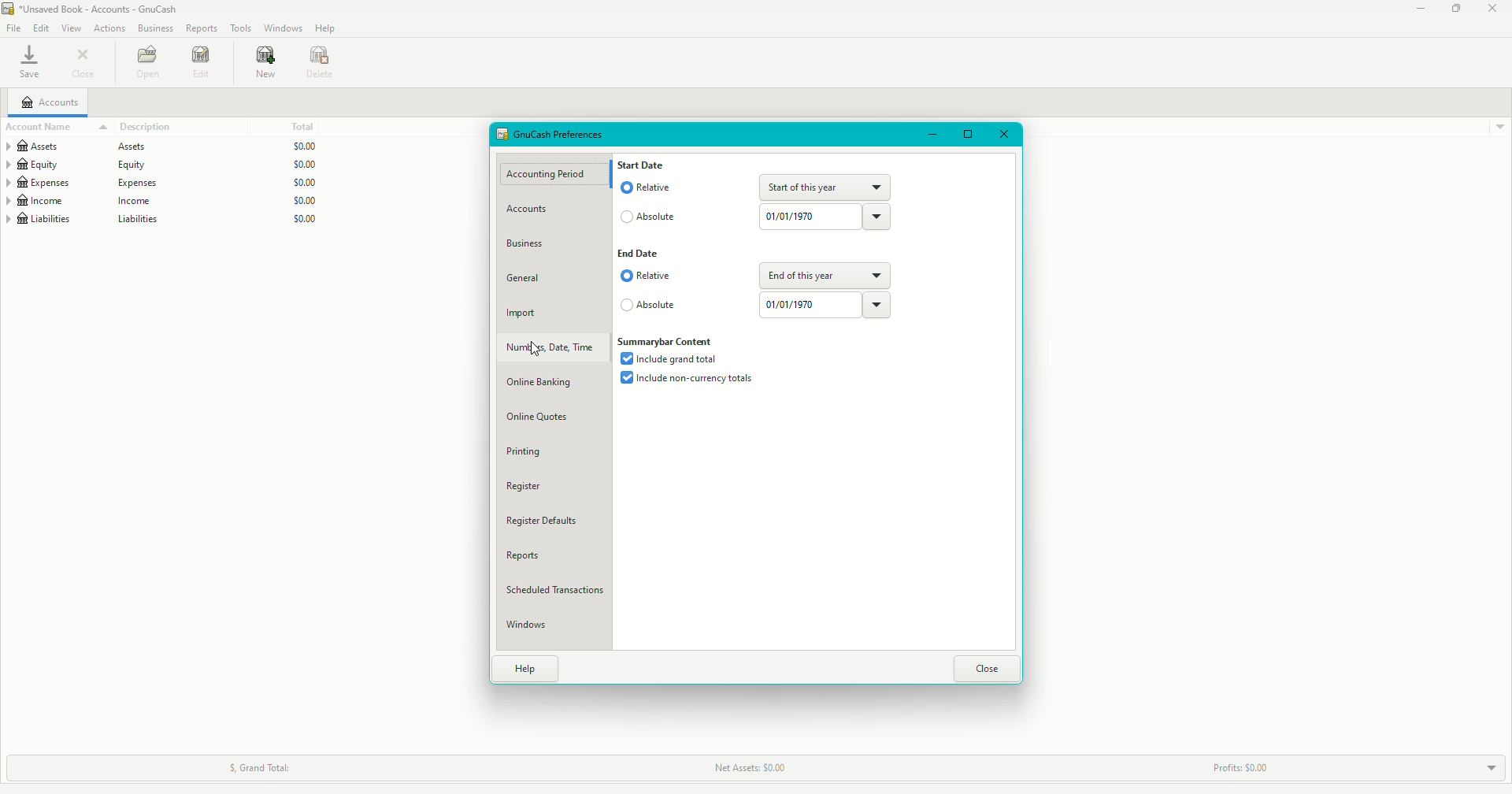  I want to click on file name, so click(102, 9).